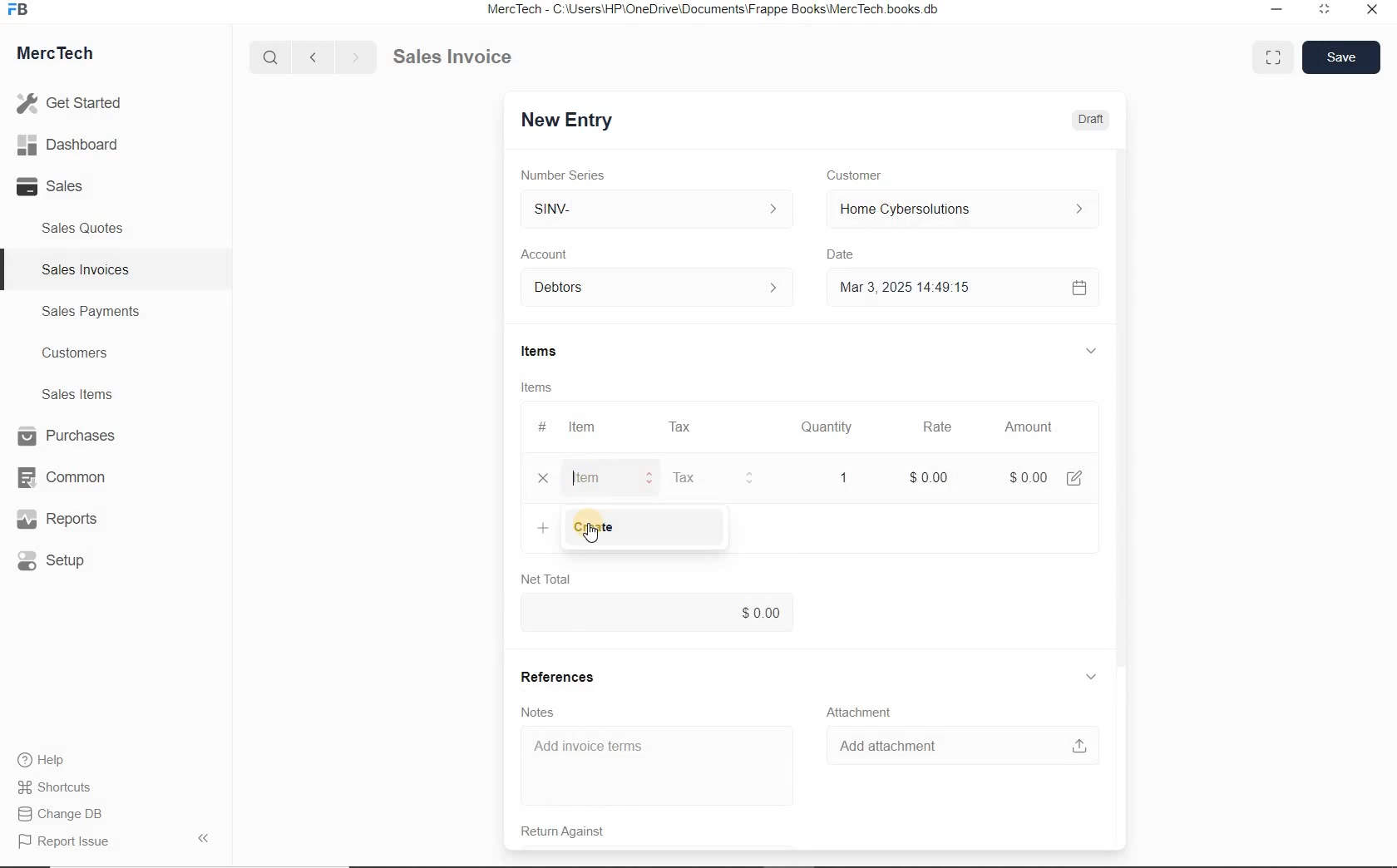 This screenshot has width=1397, height=868. What do you see at coordinates (1092, 120) in the screenshot?
I see `Draft` at bounding box center [1092, 120].